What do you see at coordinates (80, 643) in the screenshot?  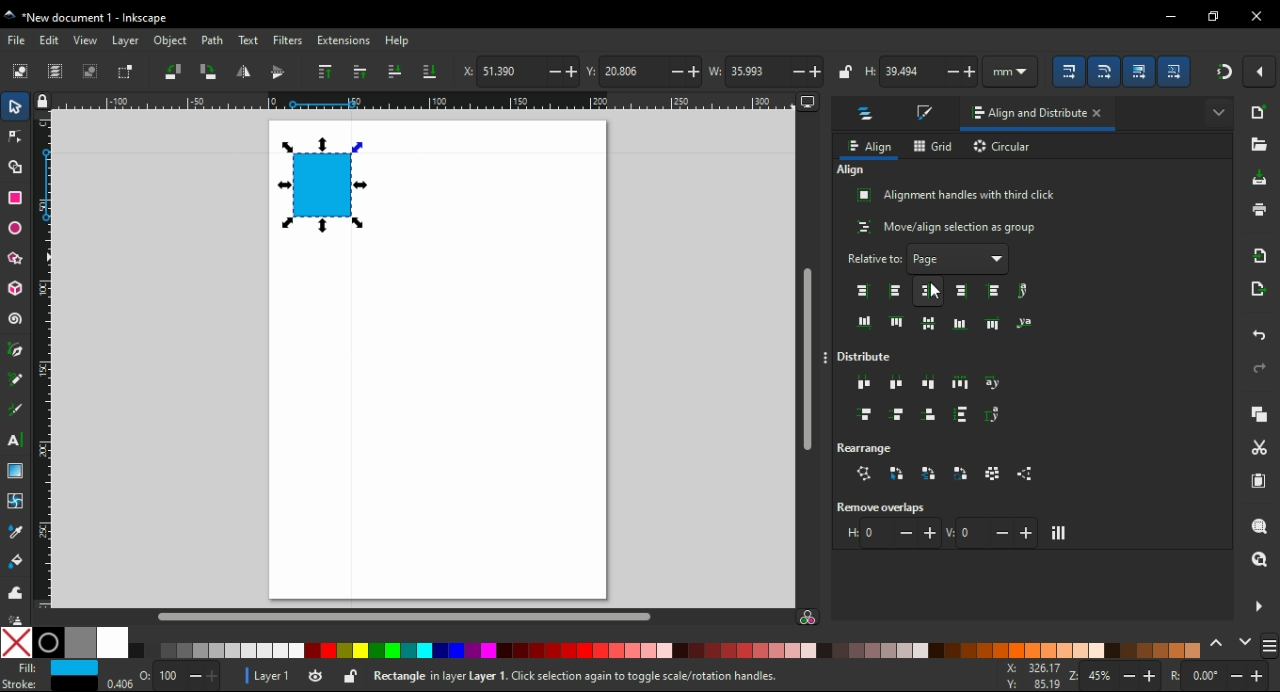 I see `50% grey` at bounding box center [80, 643].